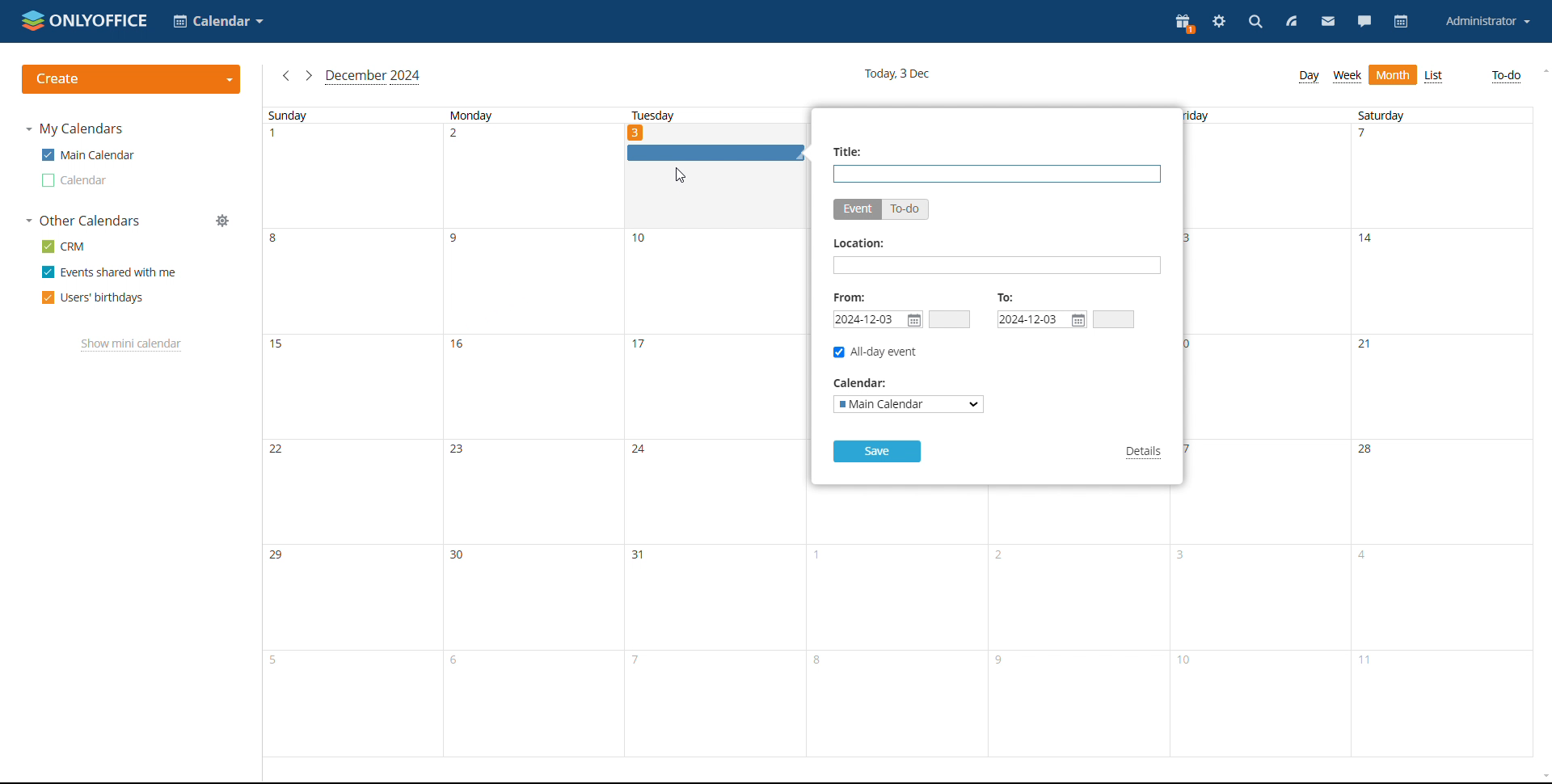 This screenshot has width=1552, height=784. What do you see at coordinates (1308, 76) in the screenshot?
I see `day view` at bounding box center [1308, 76].